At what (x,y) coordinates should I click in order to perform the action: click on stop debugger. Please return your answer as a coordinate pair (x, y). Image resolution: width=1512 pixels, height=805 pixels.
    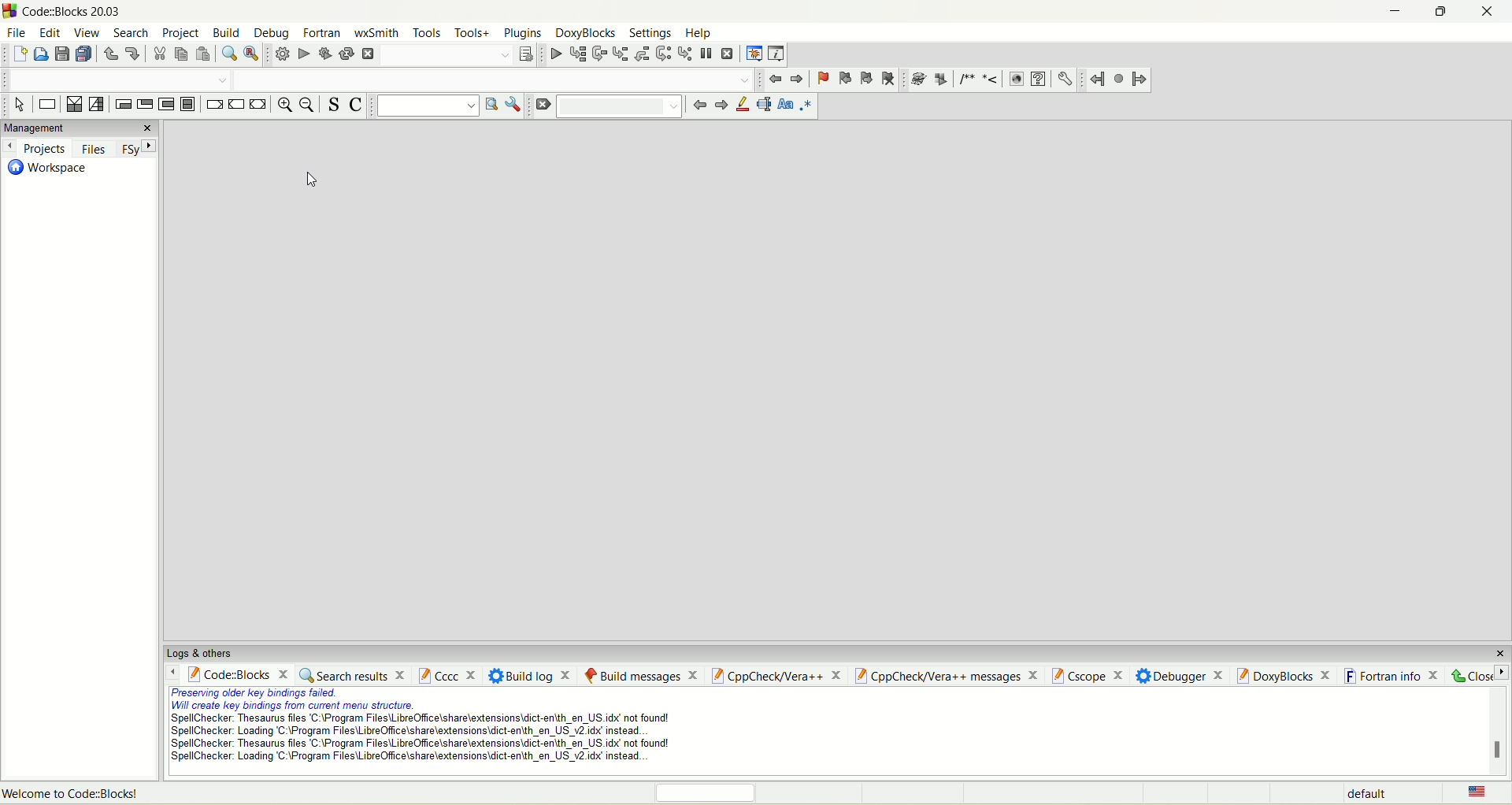
    Looking at the image, I should click on (730, 54).